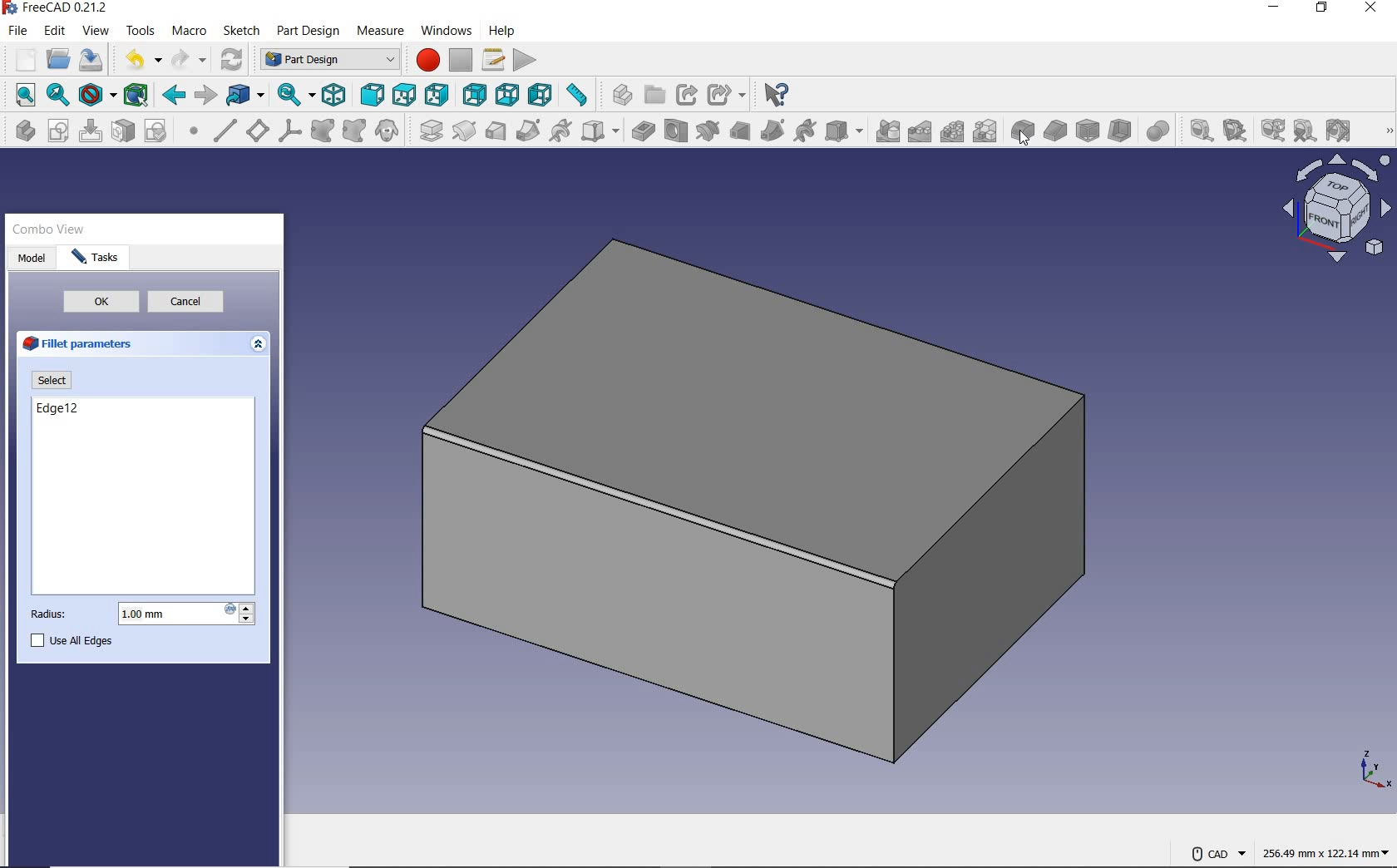 This screenshot has width=1397, height=868. Describe the element at coordinates (561, 131) in the screenshot. I see `additive helix` at that location.